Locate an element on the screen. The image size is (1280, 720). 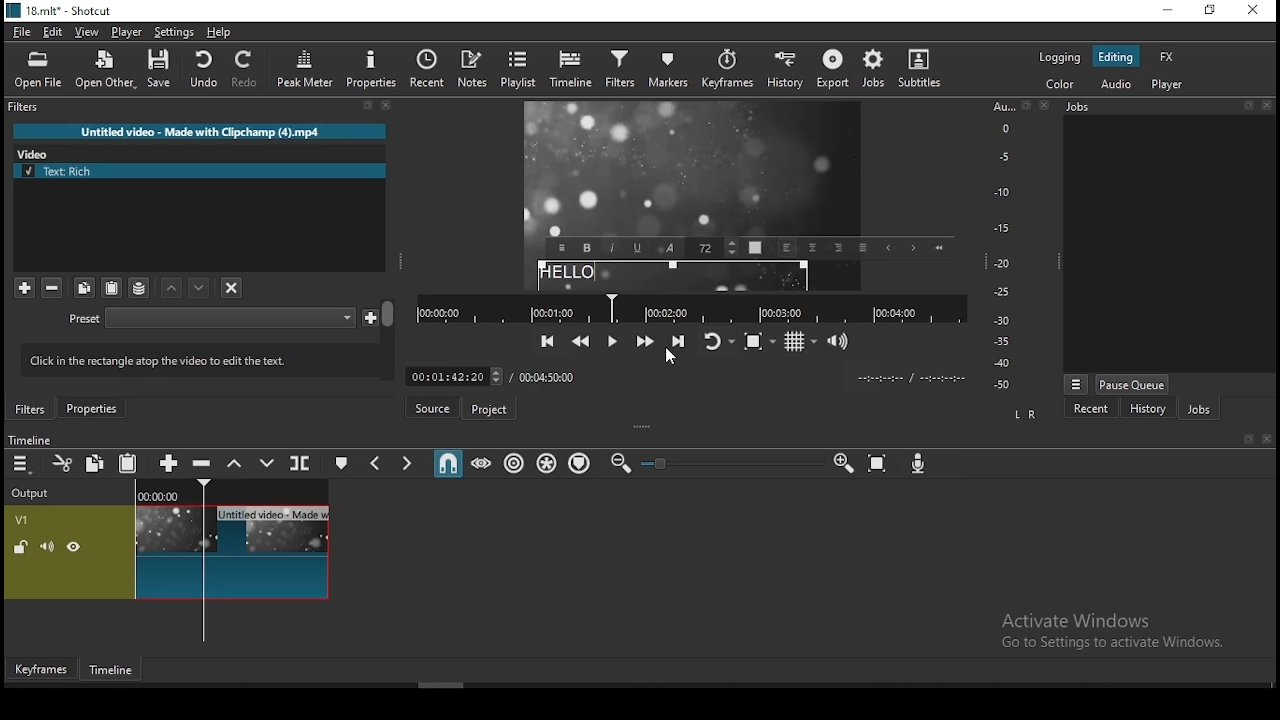
Menu is located at coordinates (561, 248).